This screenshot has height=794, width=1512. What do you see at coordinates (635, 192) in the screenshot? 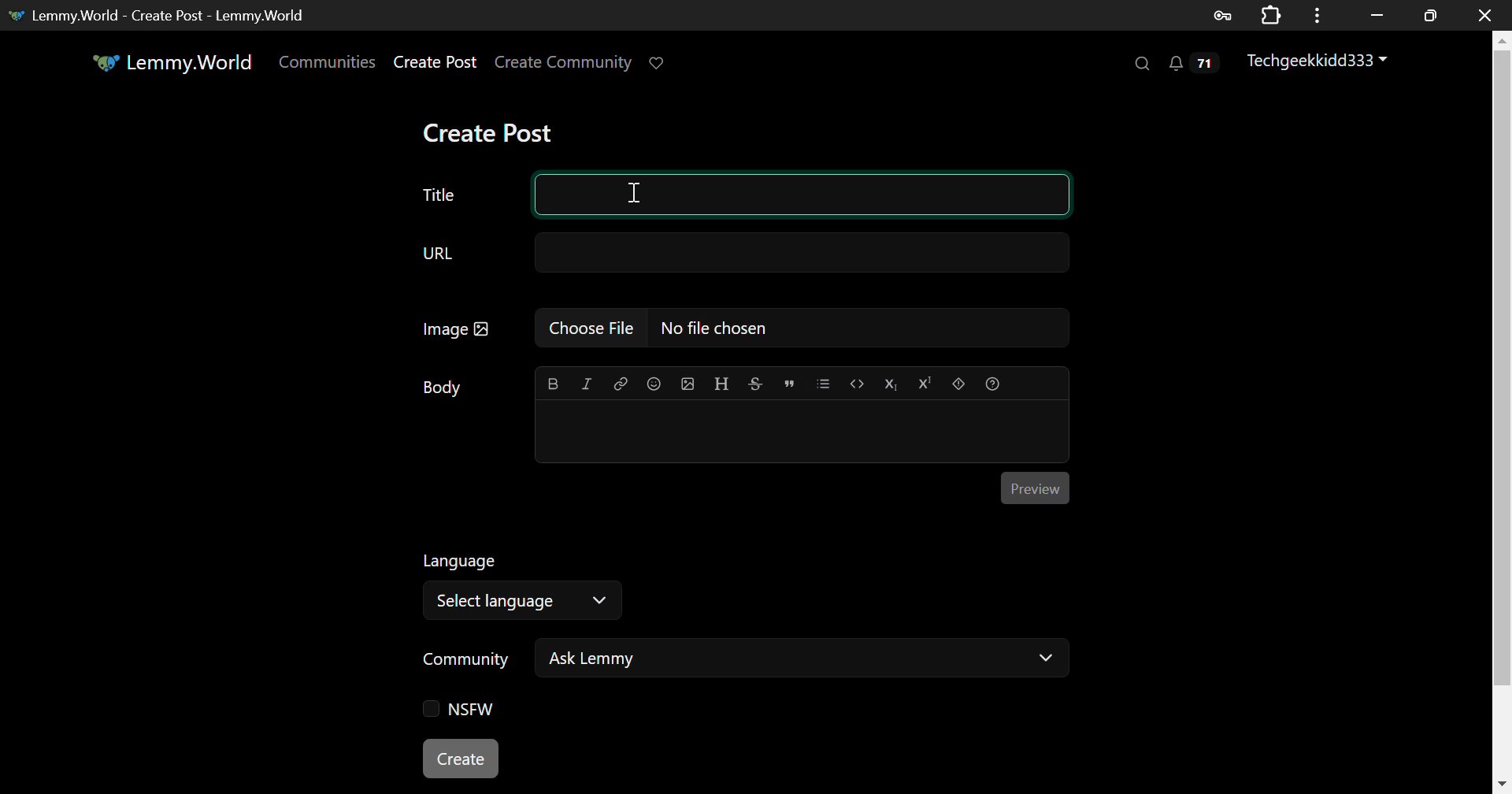
I see `Cursor Position` at bounding box center [635, 192].